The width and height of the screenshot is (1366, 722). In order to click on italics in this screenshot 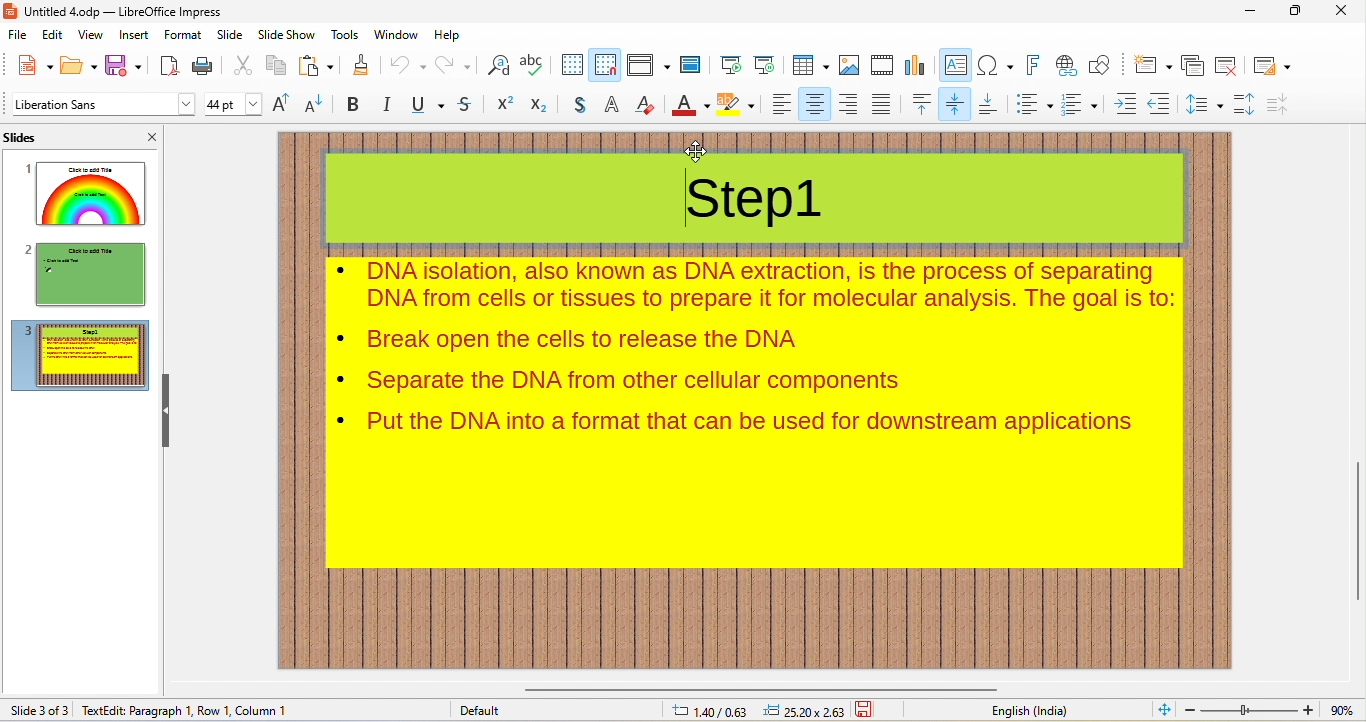, I will do `click(388, 106)`.